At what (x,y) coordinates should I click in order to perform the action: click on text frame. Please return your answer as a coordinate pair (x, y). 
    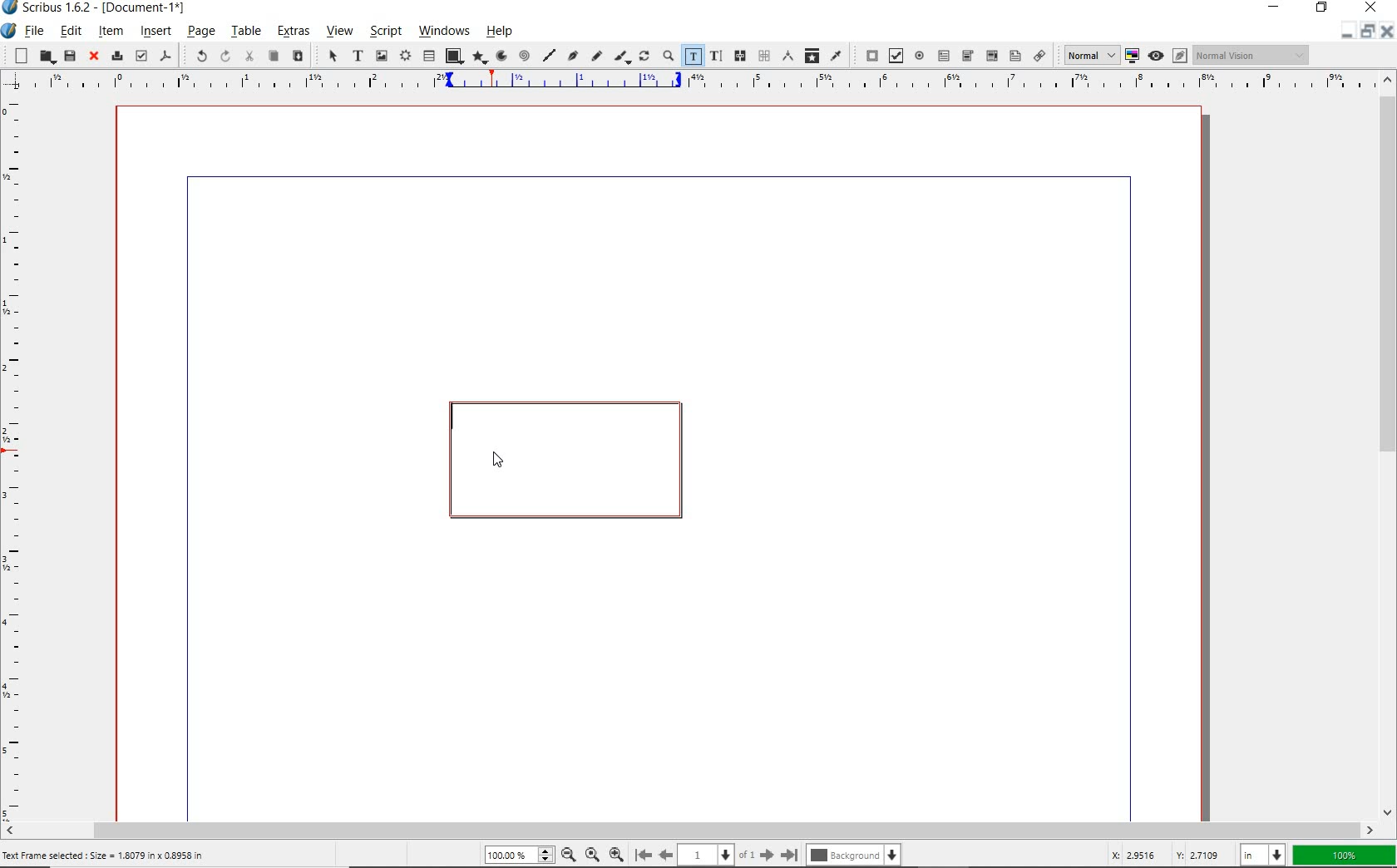
    Looking at the image, I should click on (355, 56).